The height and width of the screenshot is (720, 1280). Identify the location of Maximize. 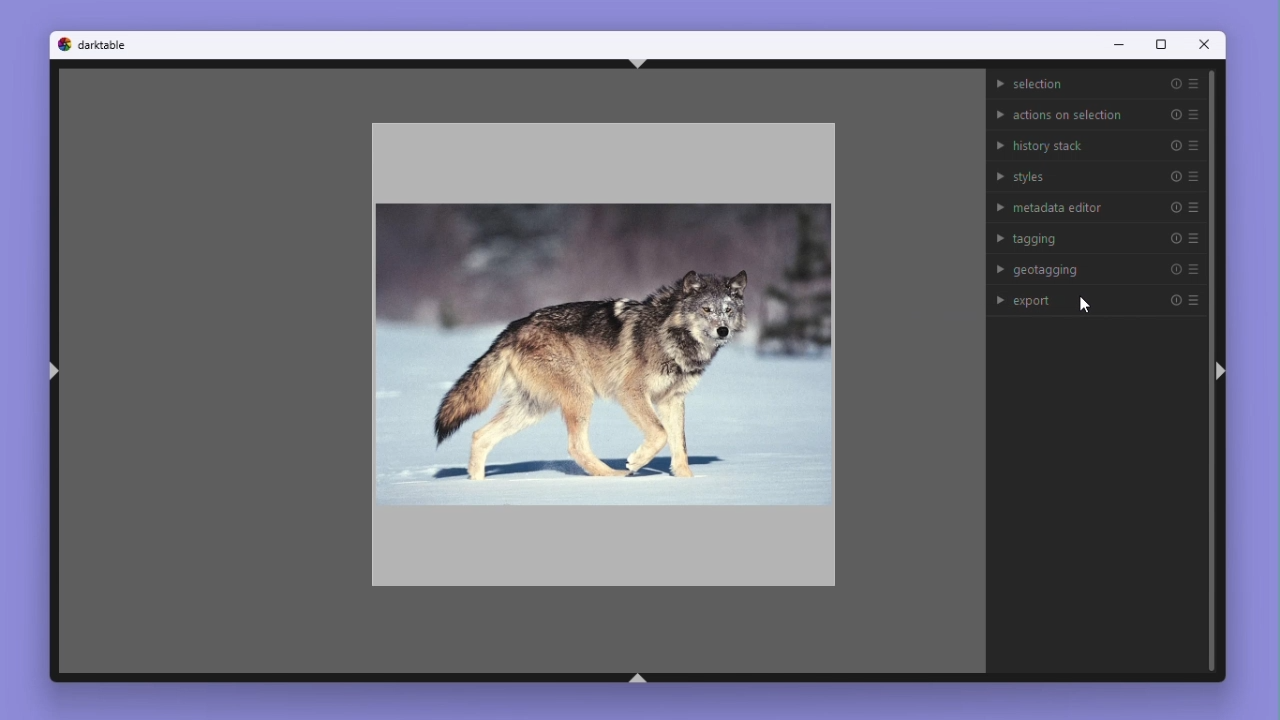
(1162, 44).